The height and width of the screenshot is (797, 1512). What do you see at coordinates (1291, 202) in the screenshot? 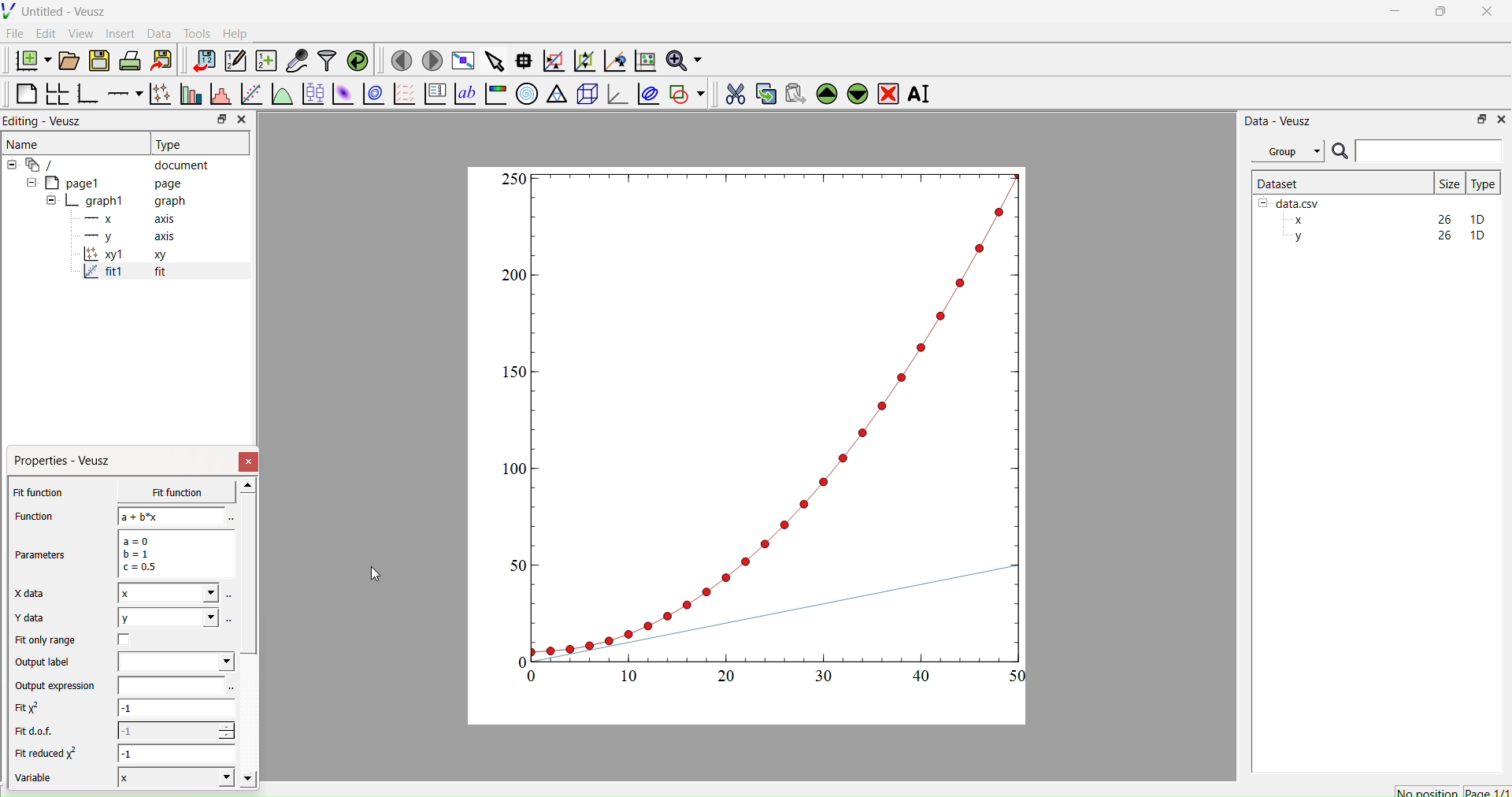
I see `data.csv` at bounding box center [1291, 202].